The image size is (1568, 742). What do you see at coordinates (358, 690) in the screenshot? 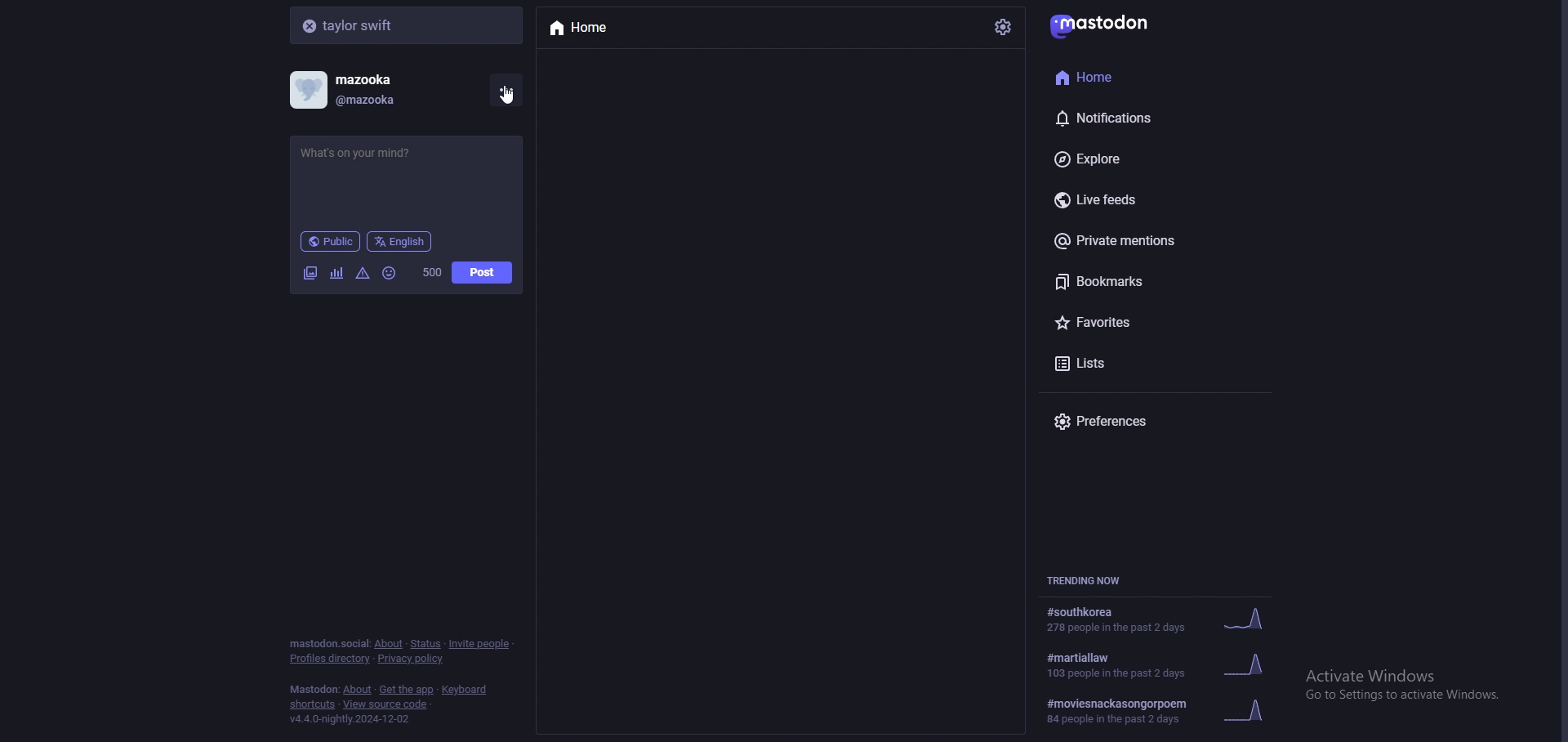
I see `about` at bounding box center [358, 690].